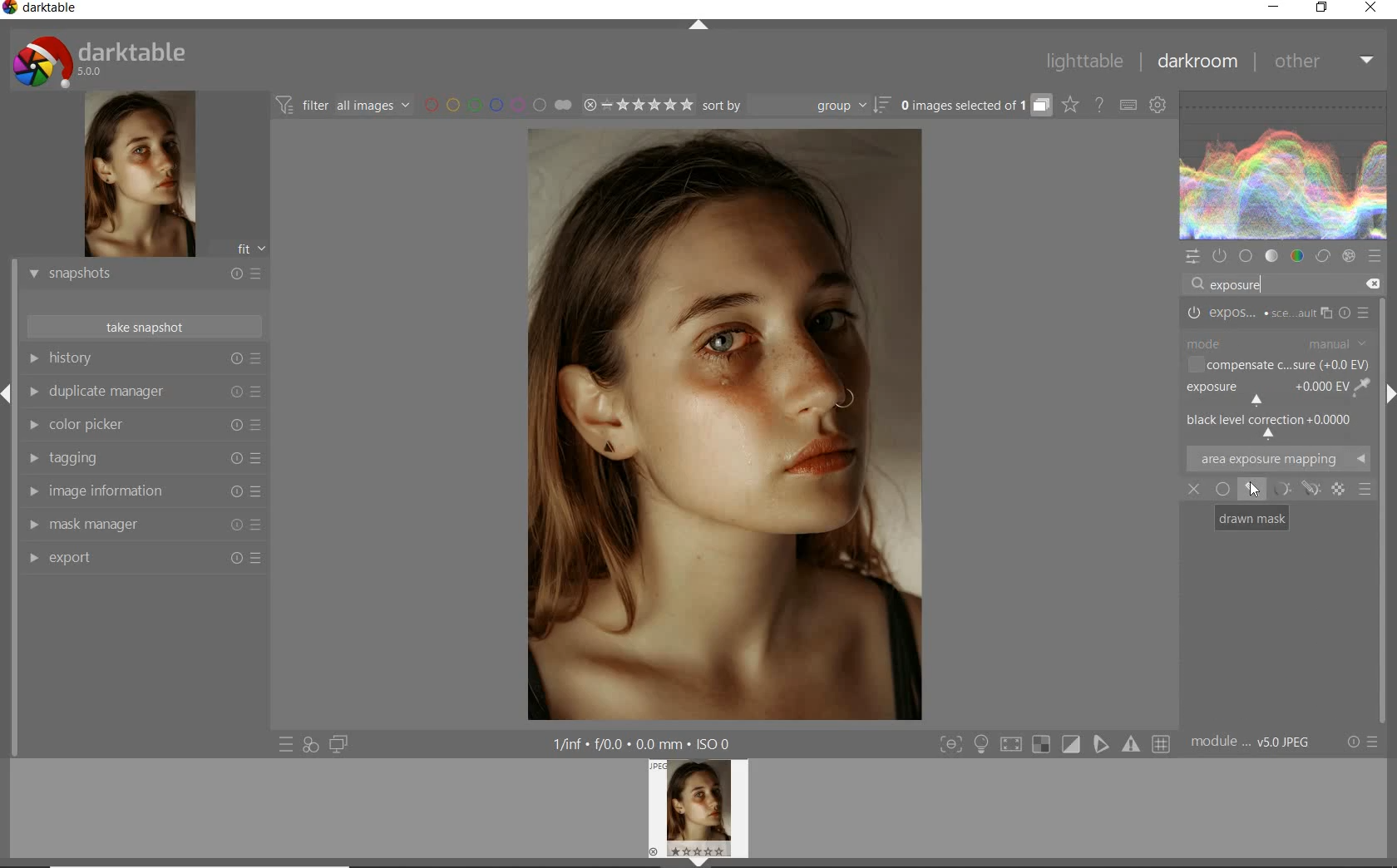 The height and width of the screenshot is (868, 1397). I want to click on range rating of selected images, so click(639, 104).